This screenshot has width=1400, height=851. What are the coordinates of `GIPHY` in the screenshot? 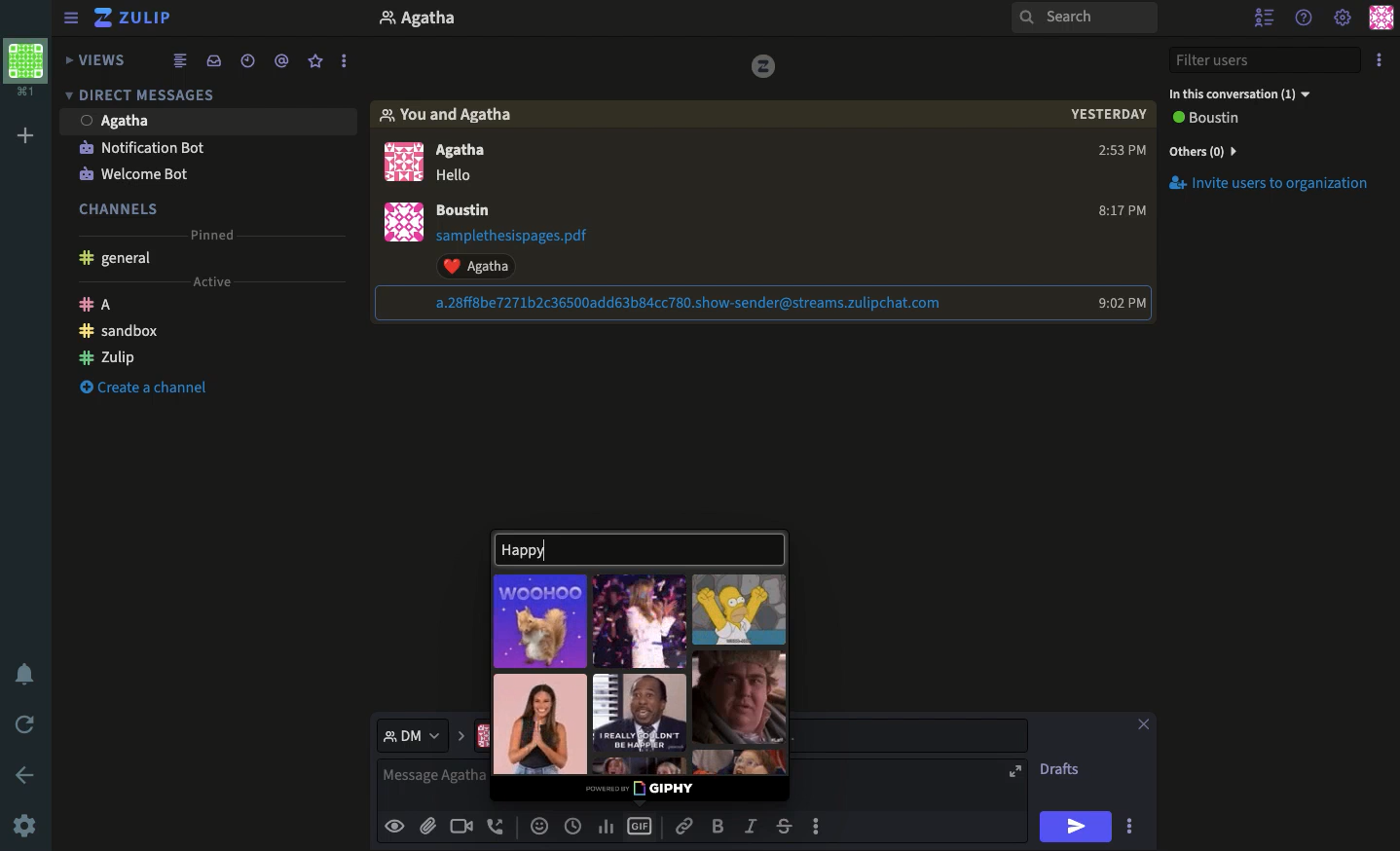 It's located at (644, 790).